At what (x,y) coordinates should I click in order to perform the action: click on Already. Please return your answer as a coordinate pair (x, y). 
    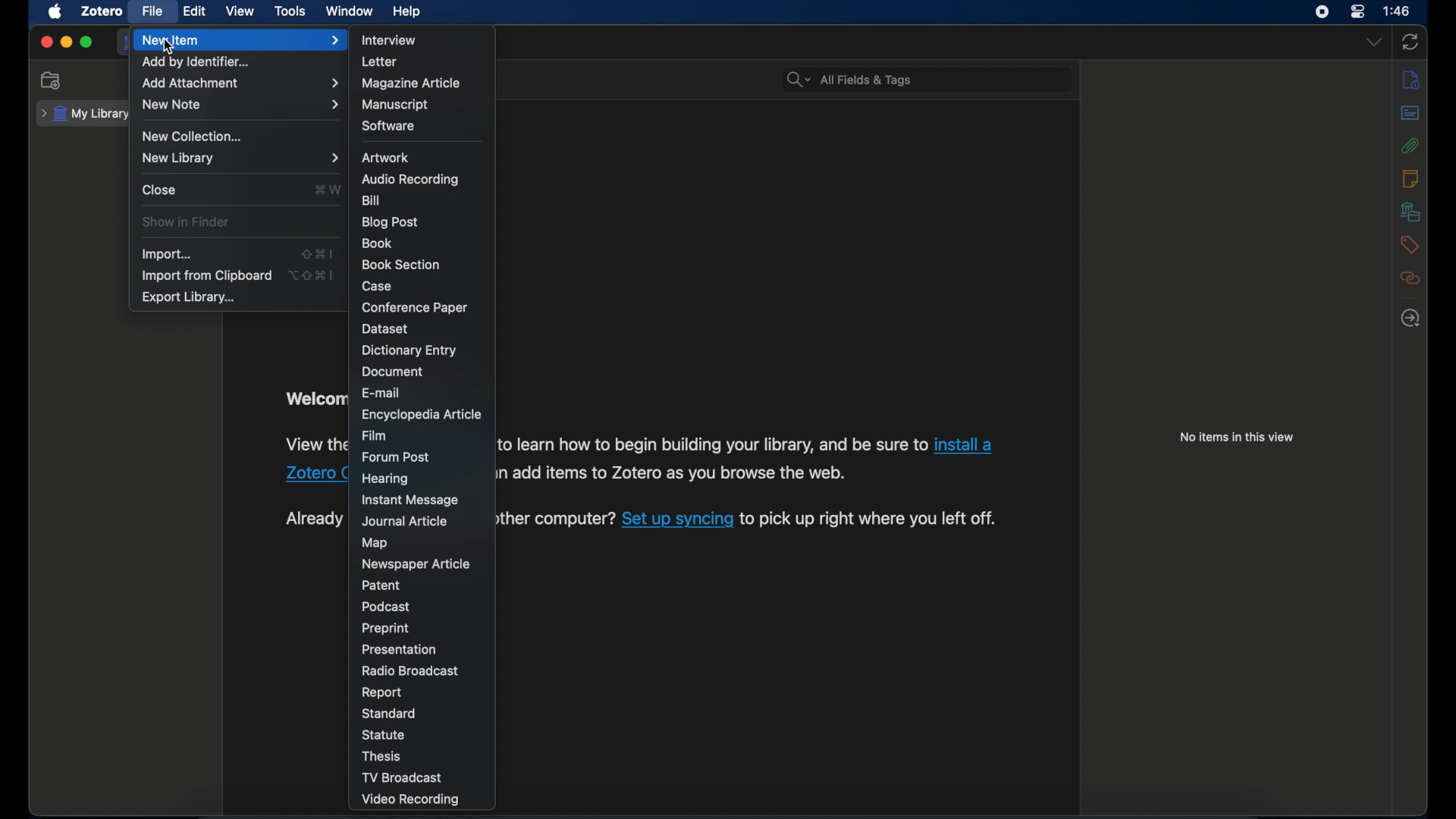
    Looking at the image, I should click on (313, 516).